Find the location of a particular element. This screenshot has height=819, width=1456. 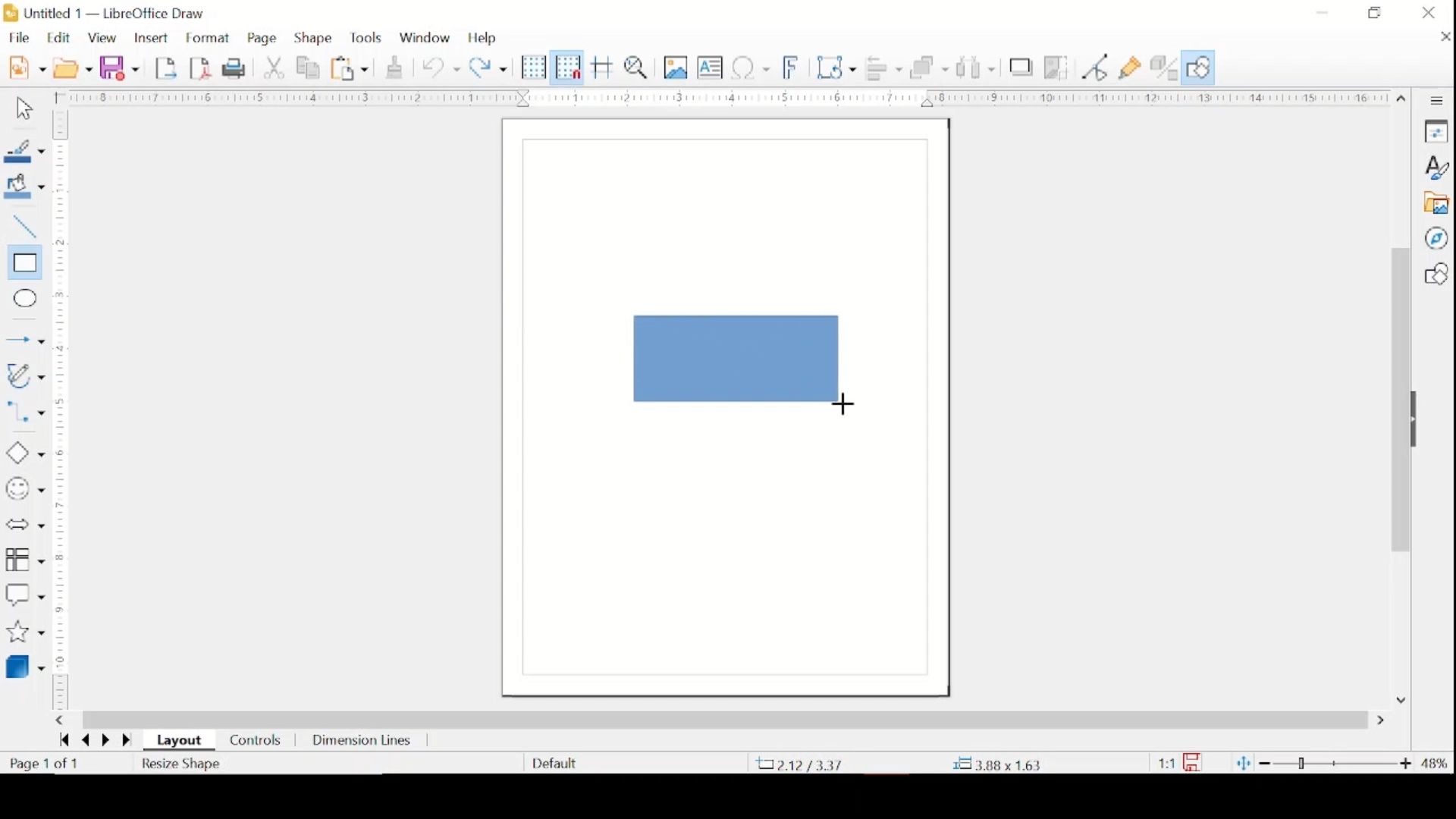

clone formatting is located at coordinates (396, 65).